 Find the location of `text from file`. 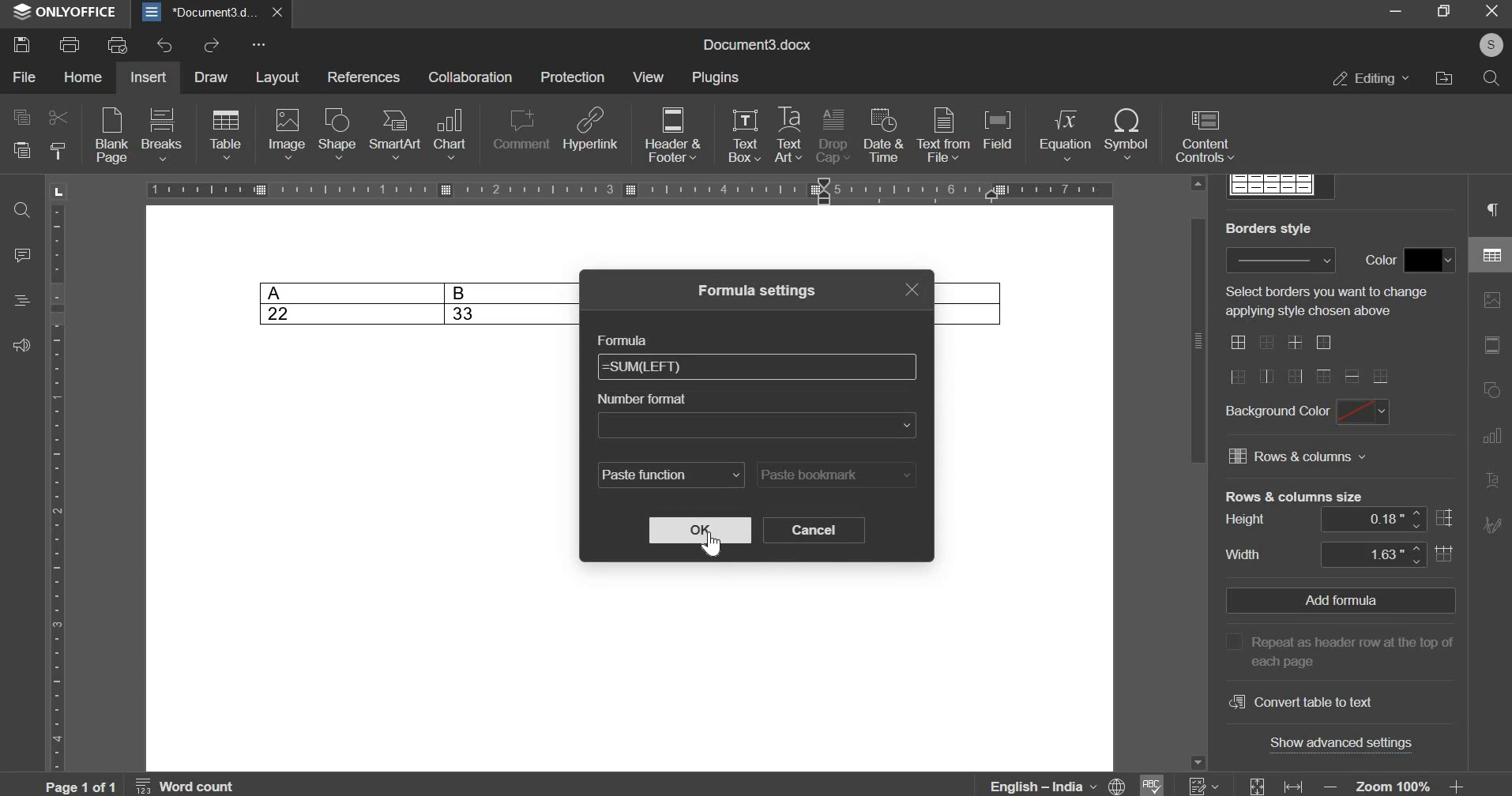

text from file is located at coordinates (942, 135).